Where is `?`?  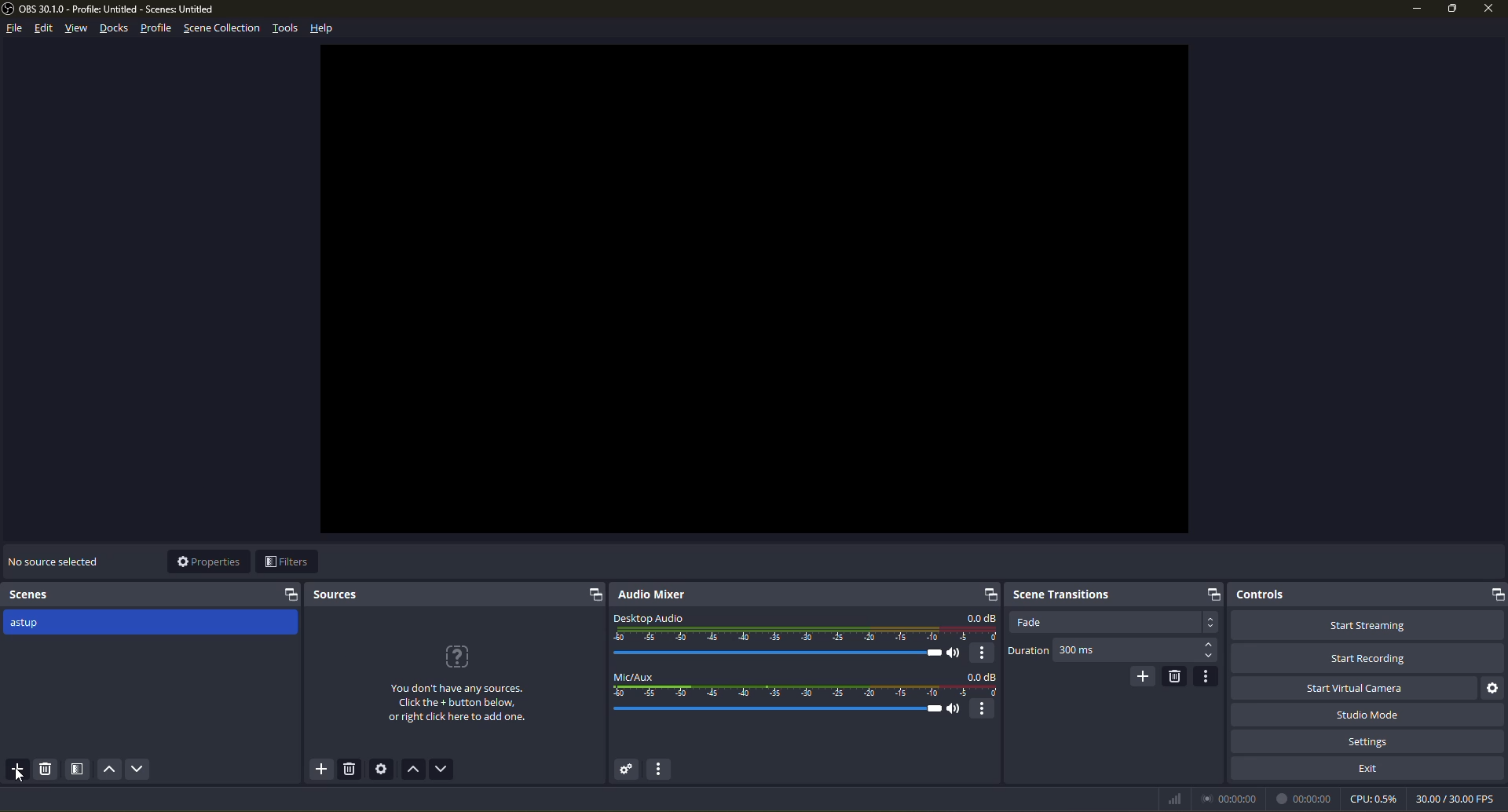
? is located at coordinates (454, 654).